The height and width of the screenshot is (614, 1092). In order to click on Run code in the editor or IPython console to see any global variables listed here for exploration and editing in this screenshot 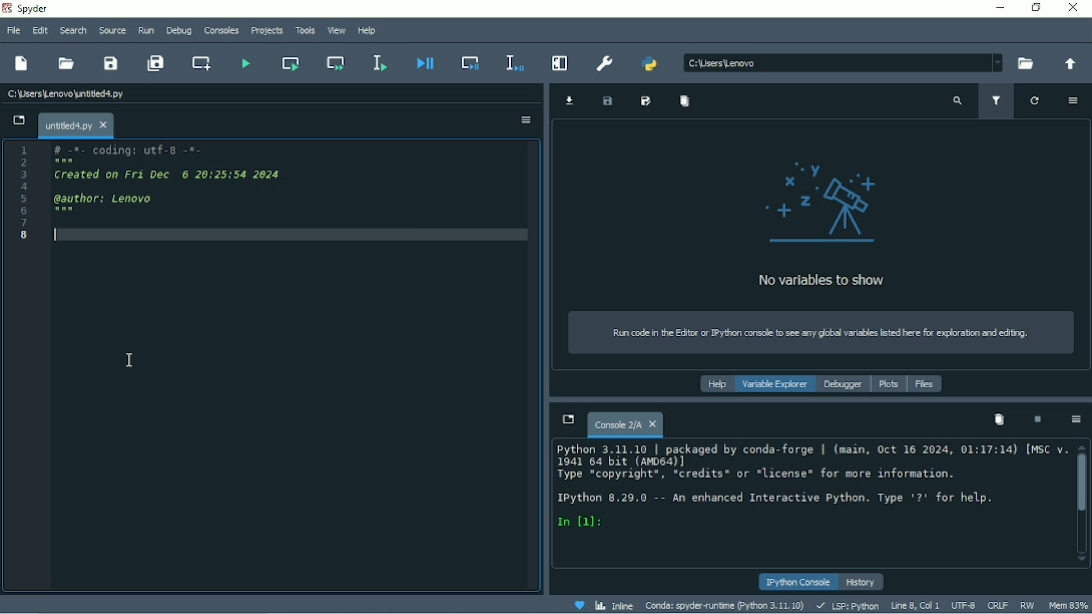, I will do `click(822, 331)`.